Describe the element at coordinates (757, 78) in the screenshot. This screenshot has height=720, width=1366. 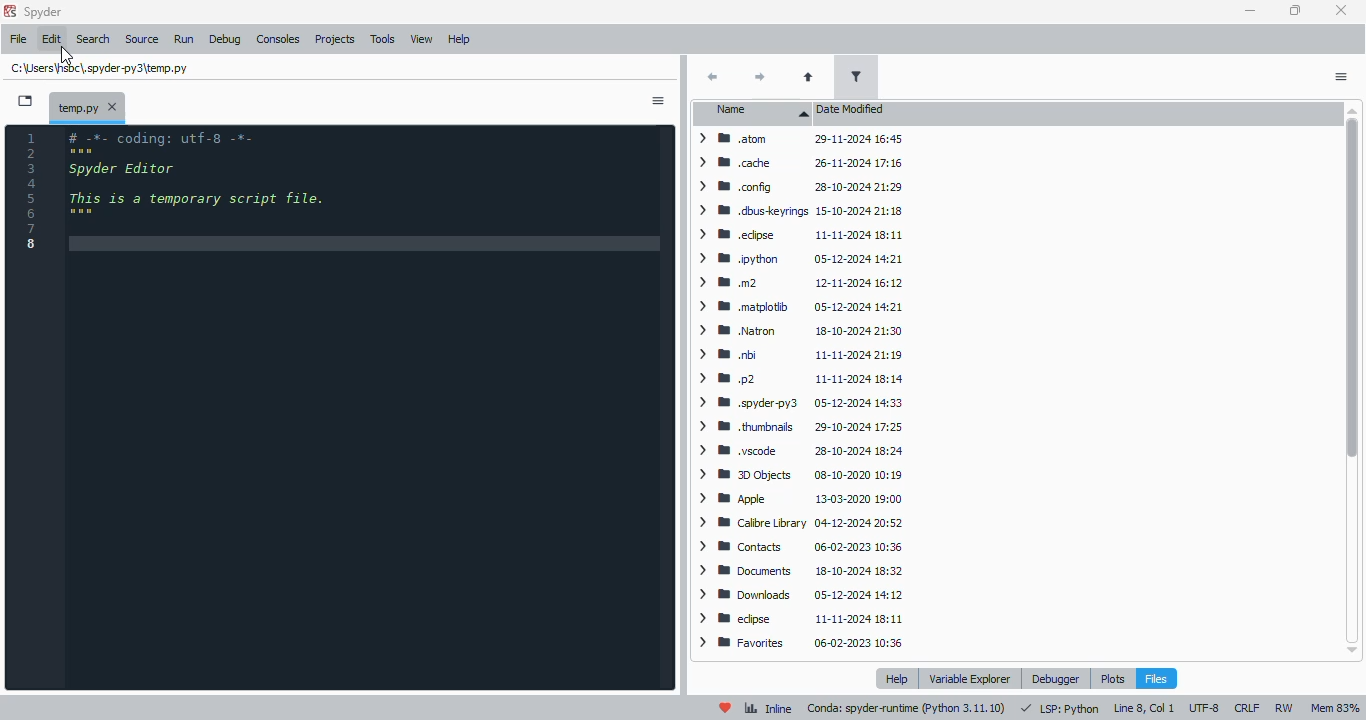
I see `next` at that location.